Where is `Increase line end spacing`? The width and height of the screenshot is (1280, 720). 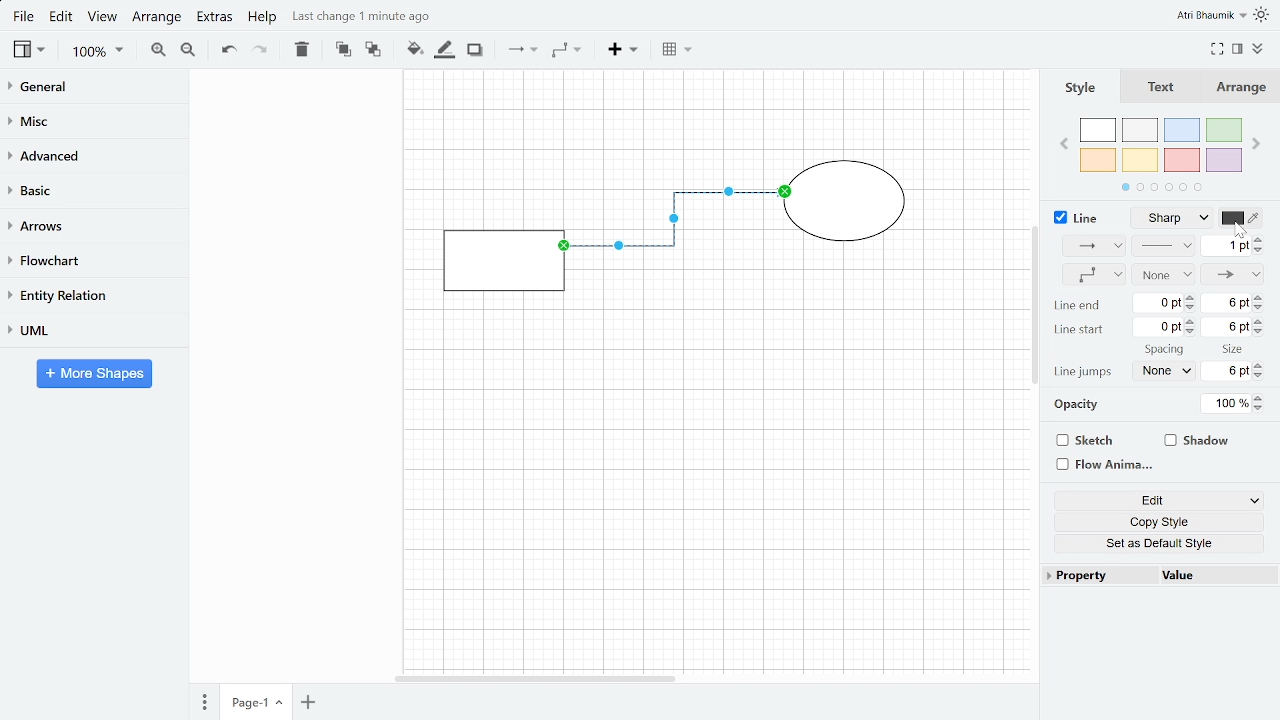
Increase line end spacing is located at coordinates (1190, 296).